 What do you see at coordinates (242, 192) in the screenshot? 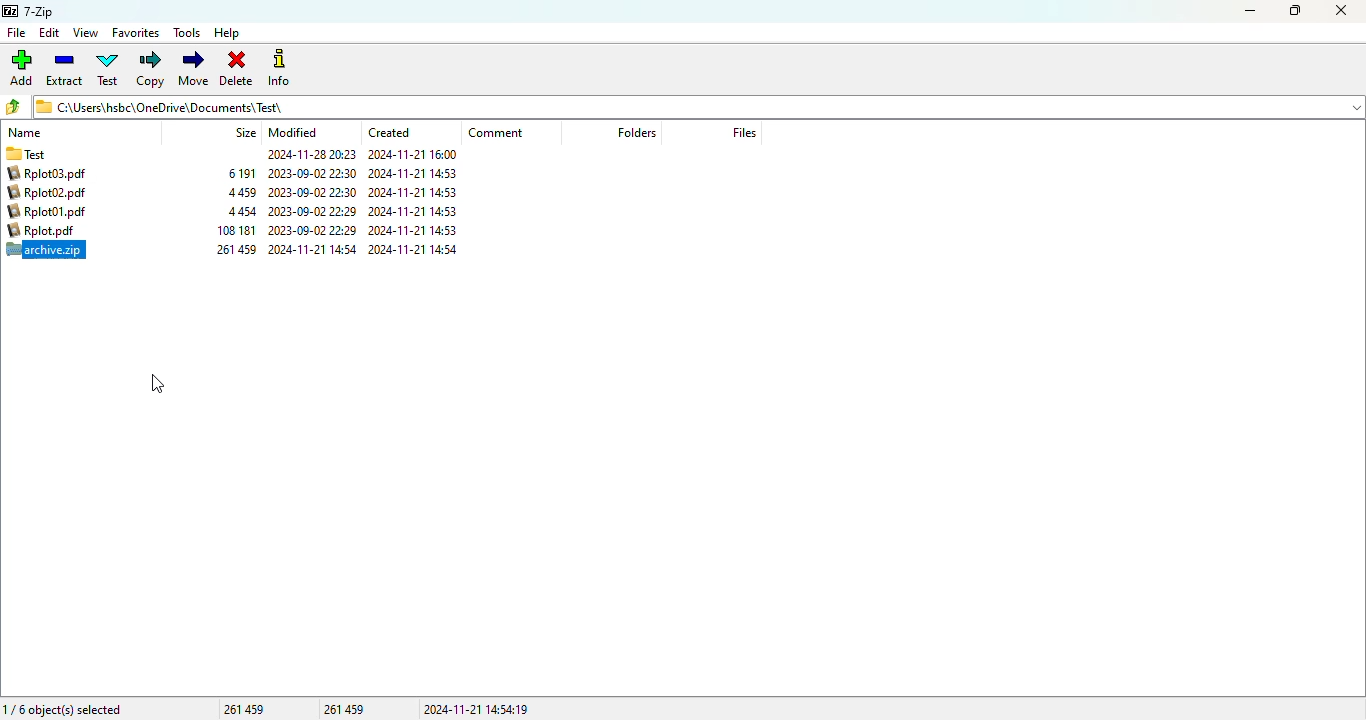
I see `6 191` at bounding box center [242, 192].